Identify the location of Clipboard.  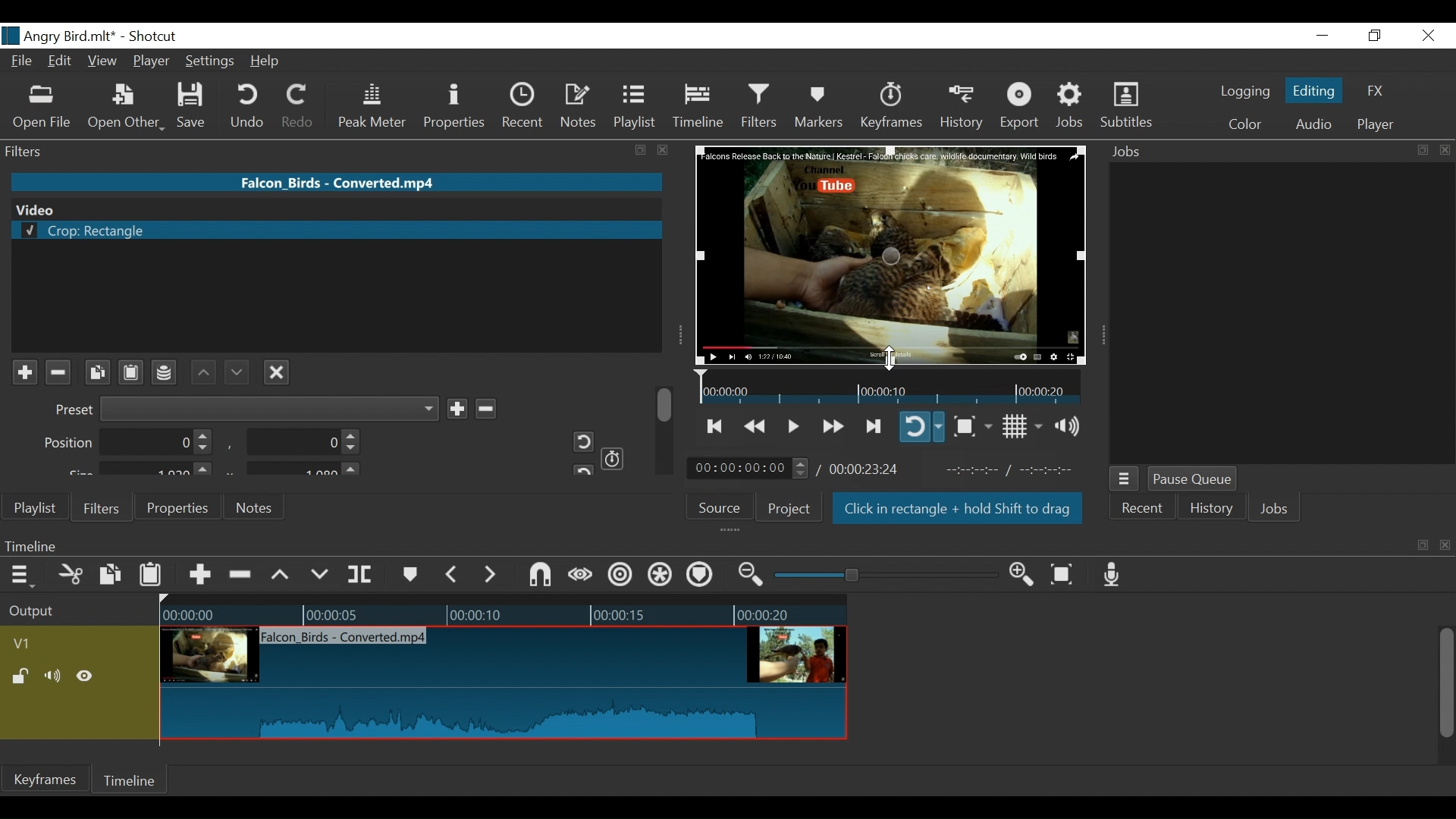
(133, 371).